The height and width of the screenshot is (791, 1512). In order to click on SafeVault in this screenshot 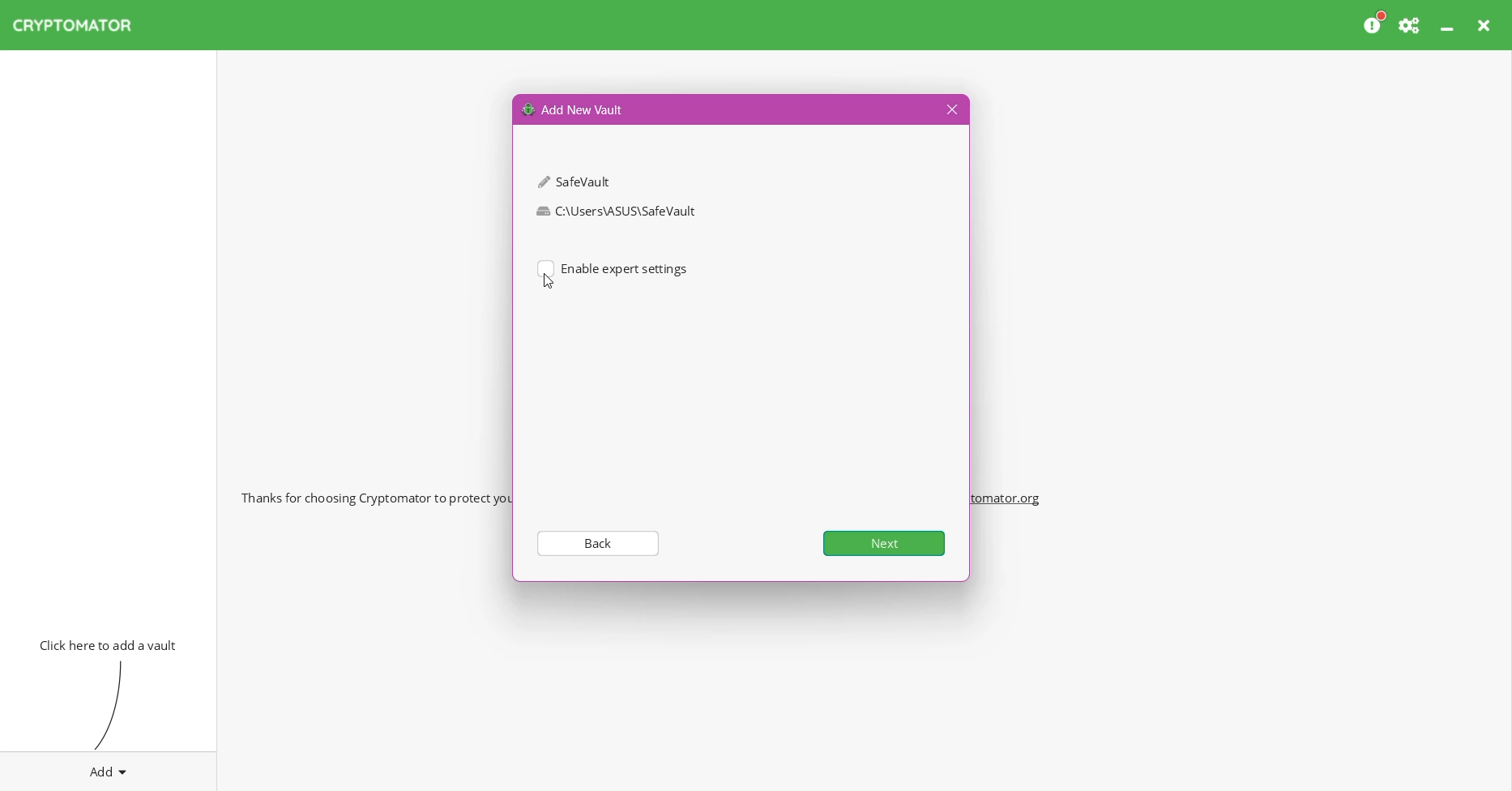, I will do `click(572, 182)`.